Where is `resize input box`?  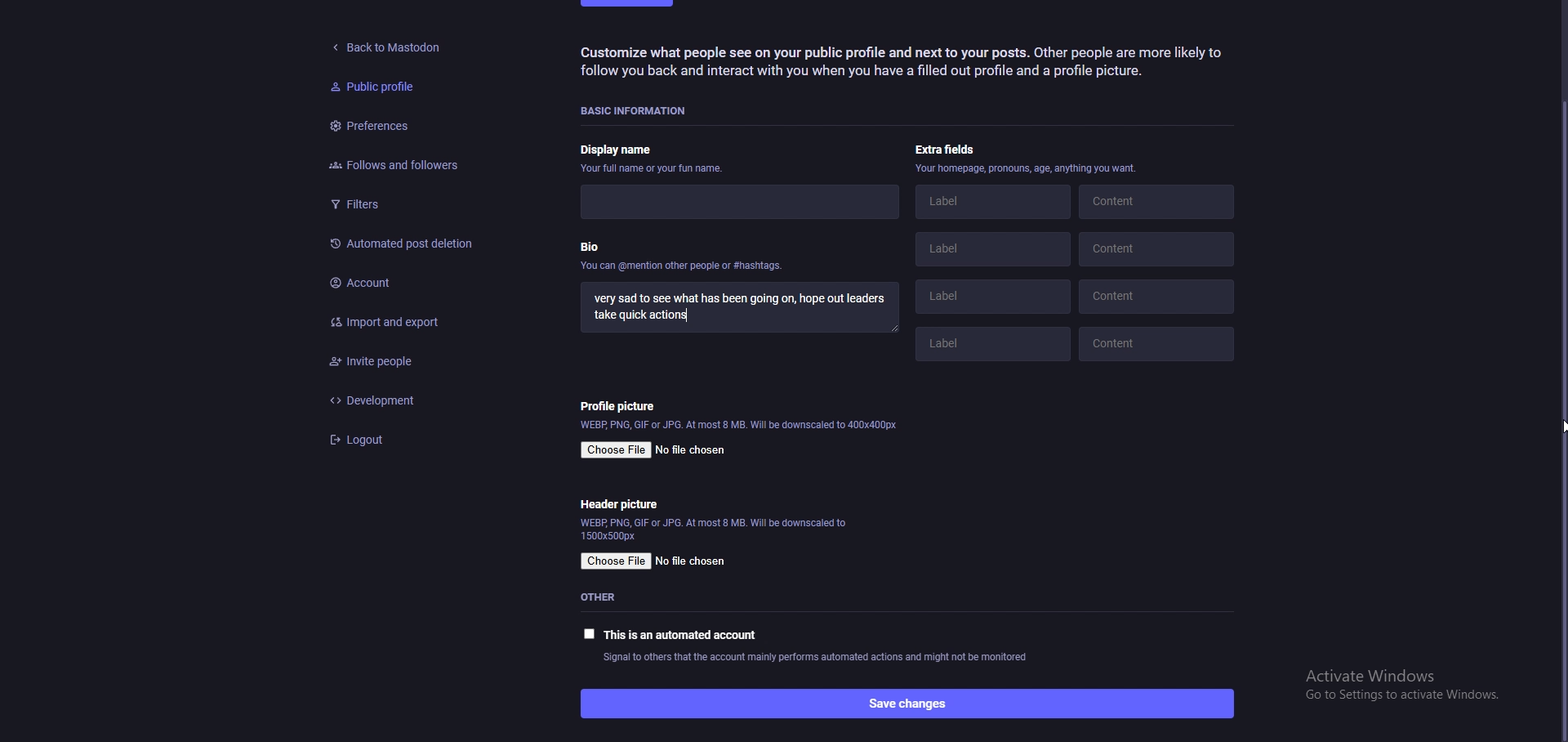
resize input box is located at coordinates (897, 330).